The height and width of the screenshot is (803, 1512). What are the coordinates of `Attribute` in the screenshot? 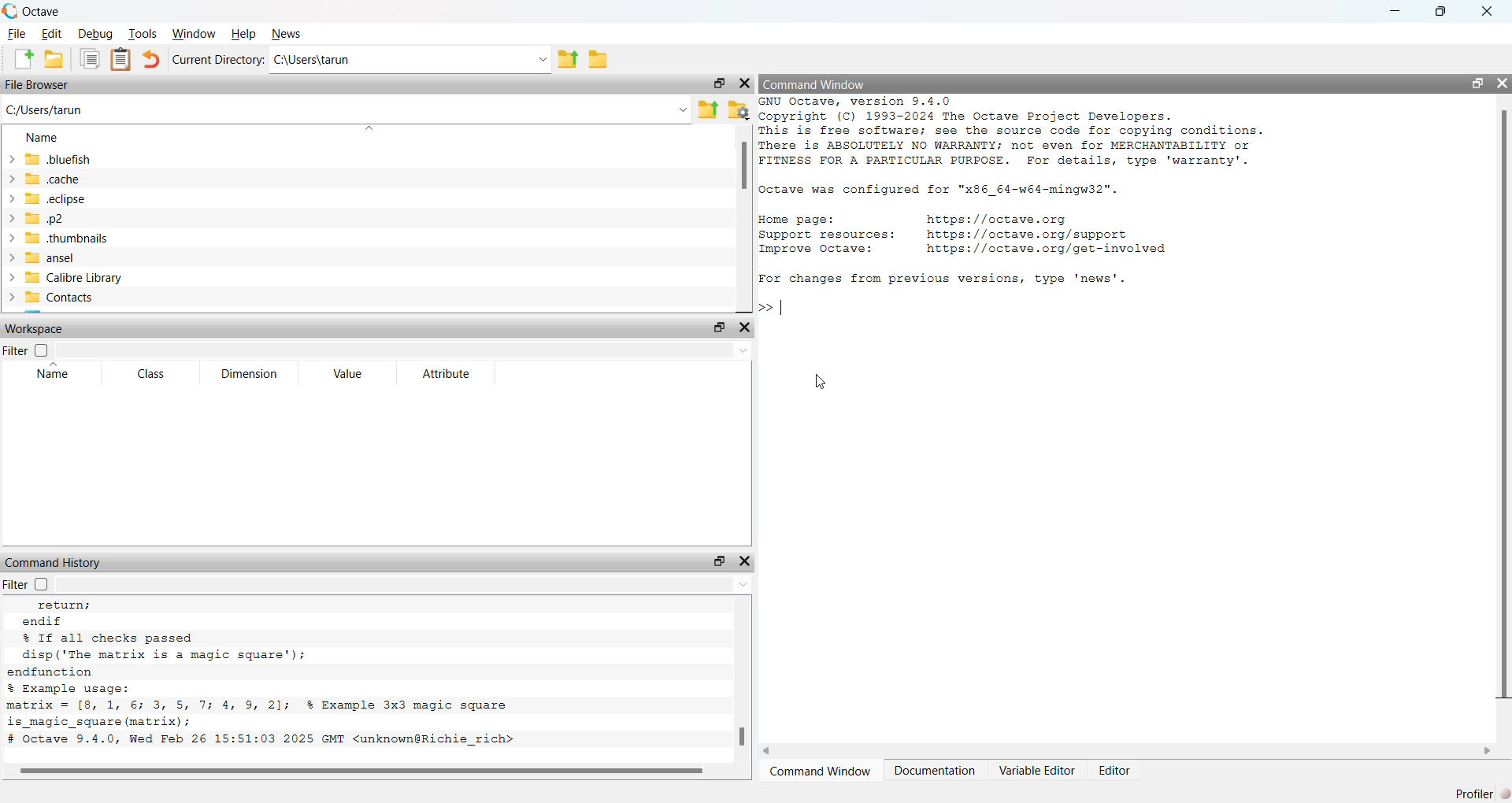 It's located at (448, 374).